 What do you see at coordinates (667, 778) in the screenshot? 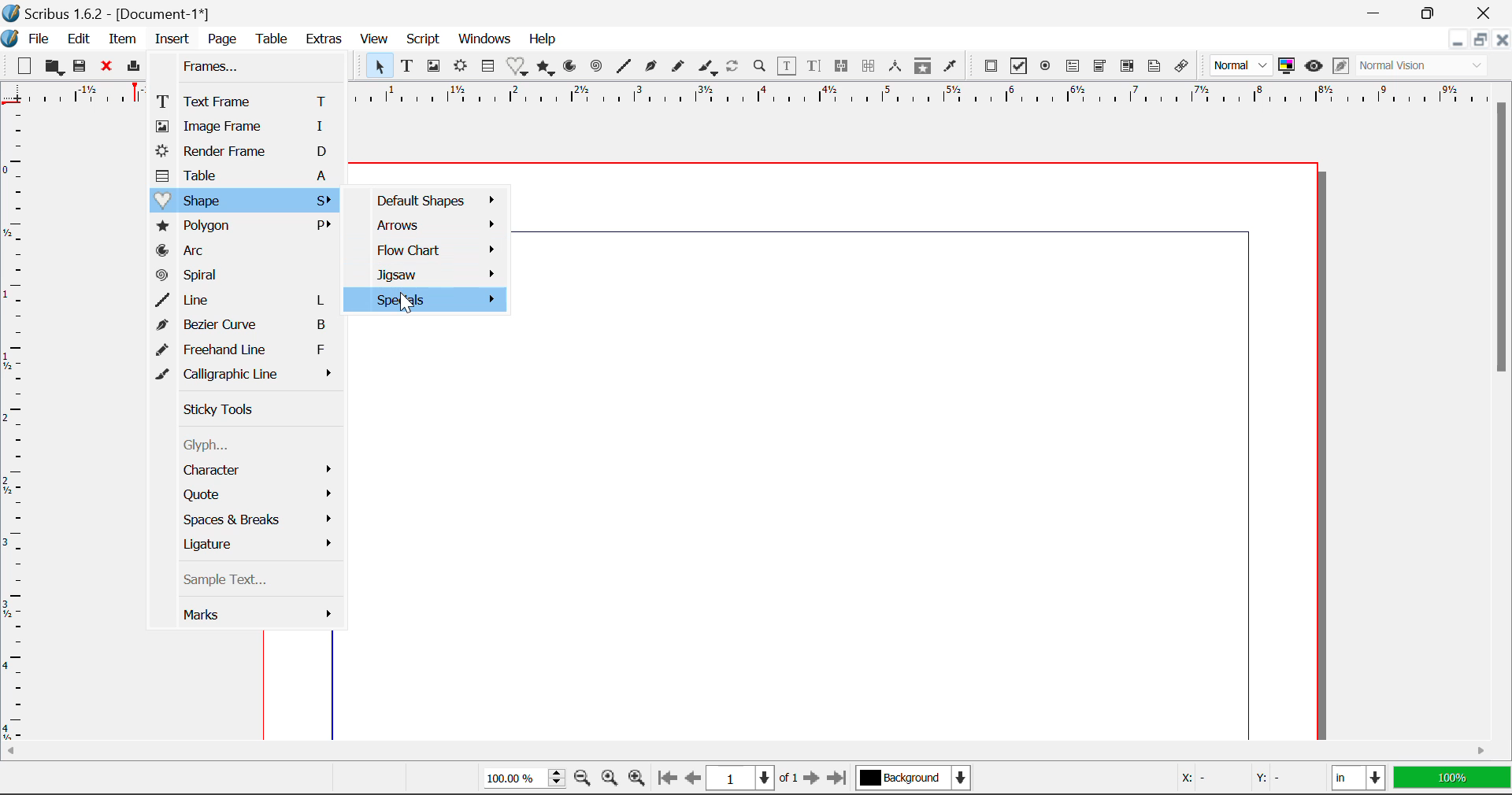
I see `First Page` at bounding box center [667, 778].